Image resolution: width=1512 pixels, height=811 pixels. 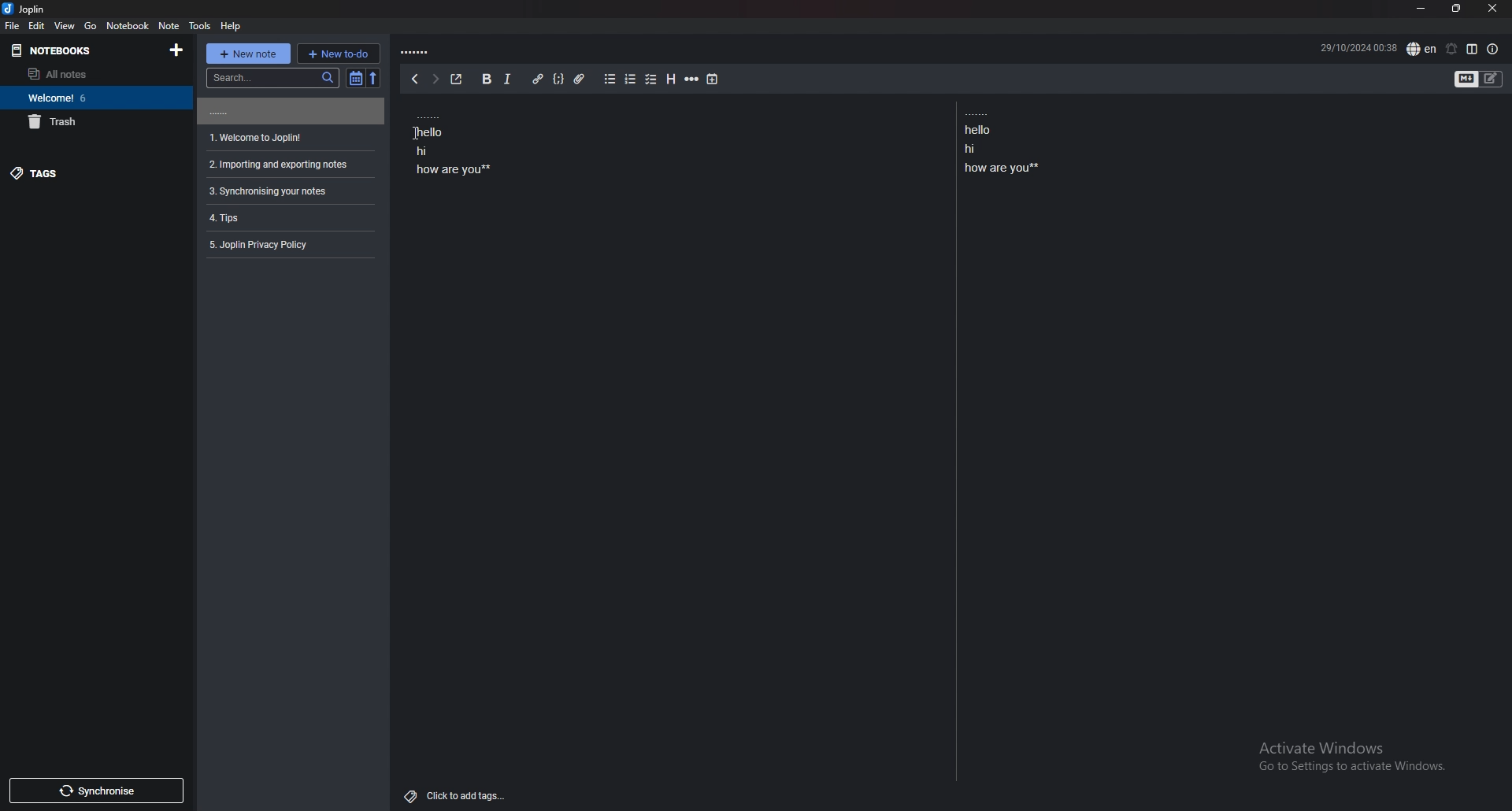 What do you see at coordinates (415, 79) in the screenshot?
I see `back` at bounding box center [415, 79].